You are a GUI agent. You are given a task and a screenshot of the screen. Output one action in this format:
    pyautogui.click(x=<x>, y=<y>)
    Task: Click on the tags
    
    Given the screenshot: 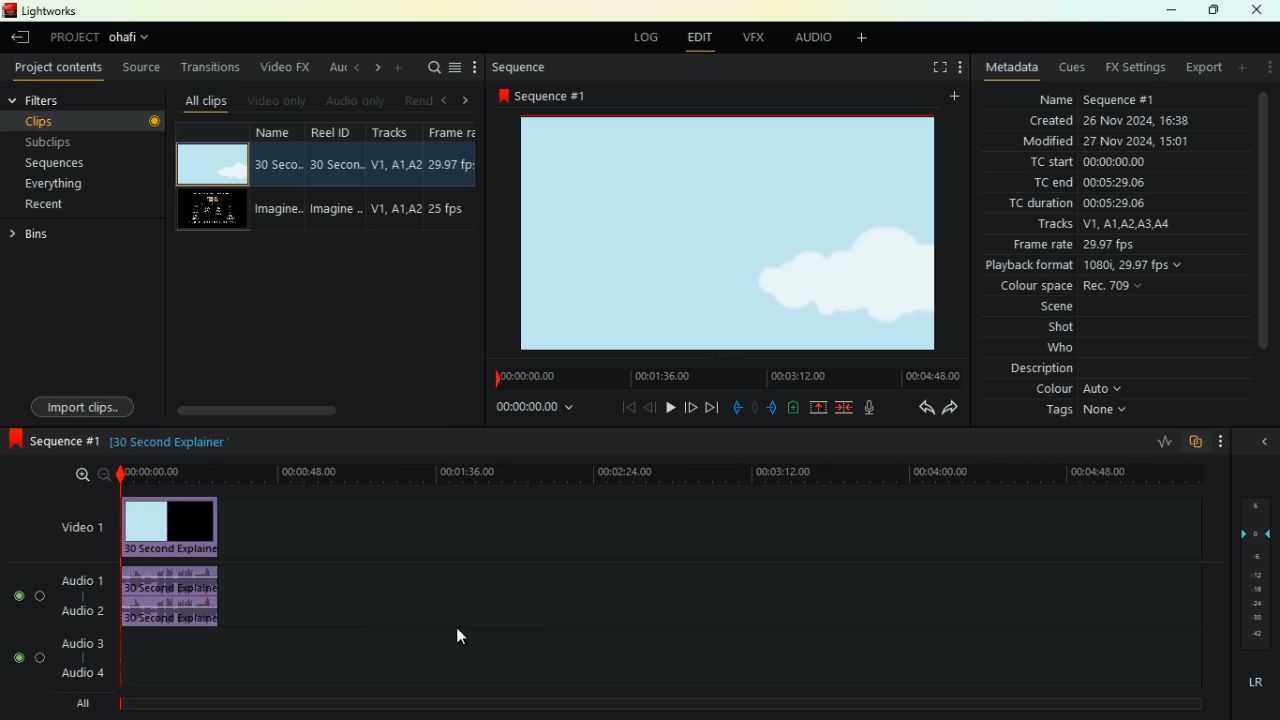 What is the action you would take?
    pyautogui.click(x=1084, y=413)
    